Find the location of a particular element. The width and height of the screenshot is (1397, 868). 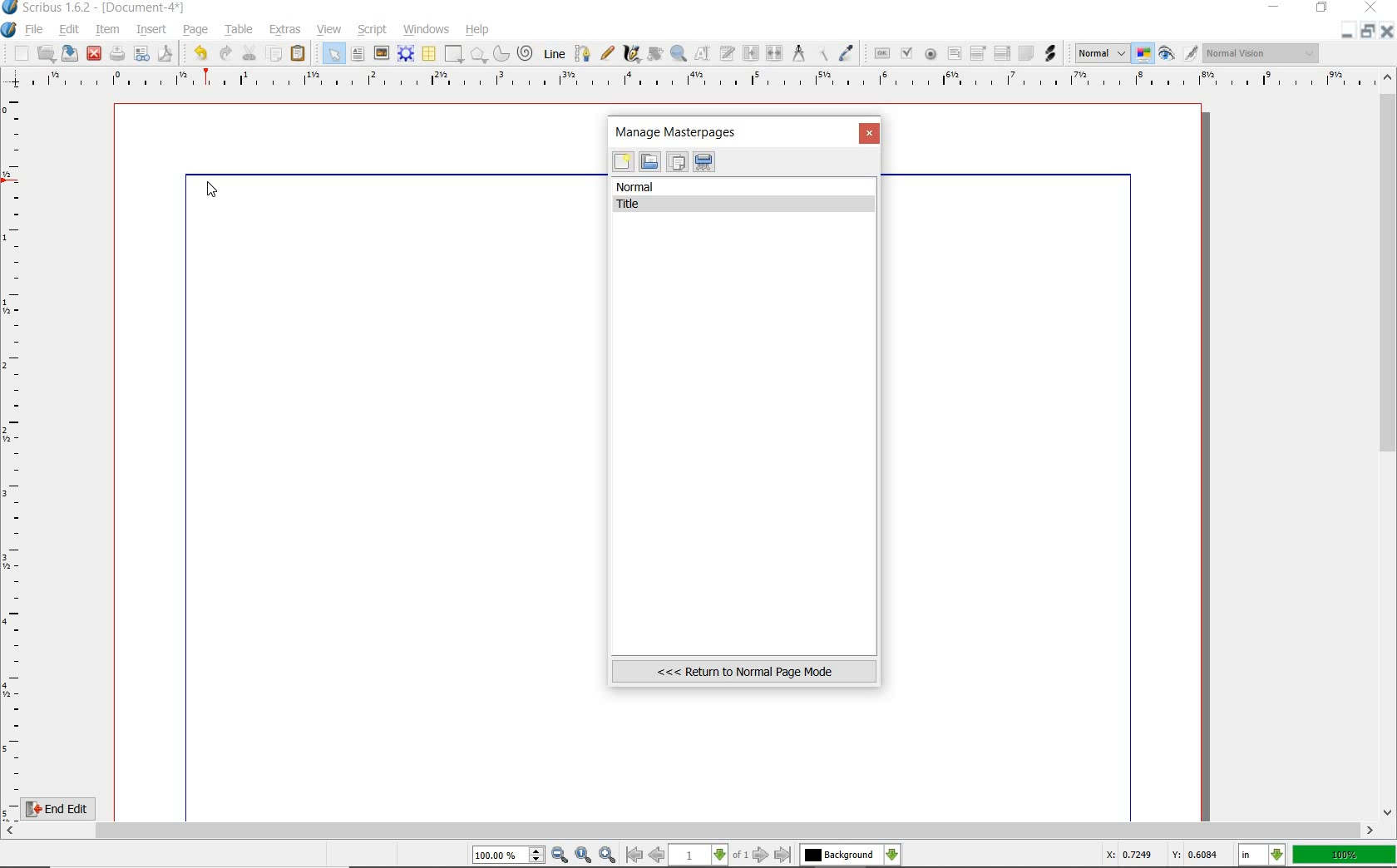

of 1 is located at coordinates (740, 856).